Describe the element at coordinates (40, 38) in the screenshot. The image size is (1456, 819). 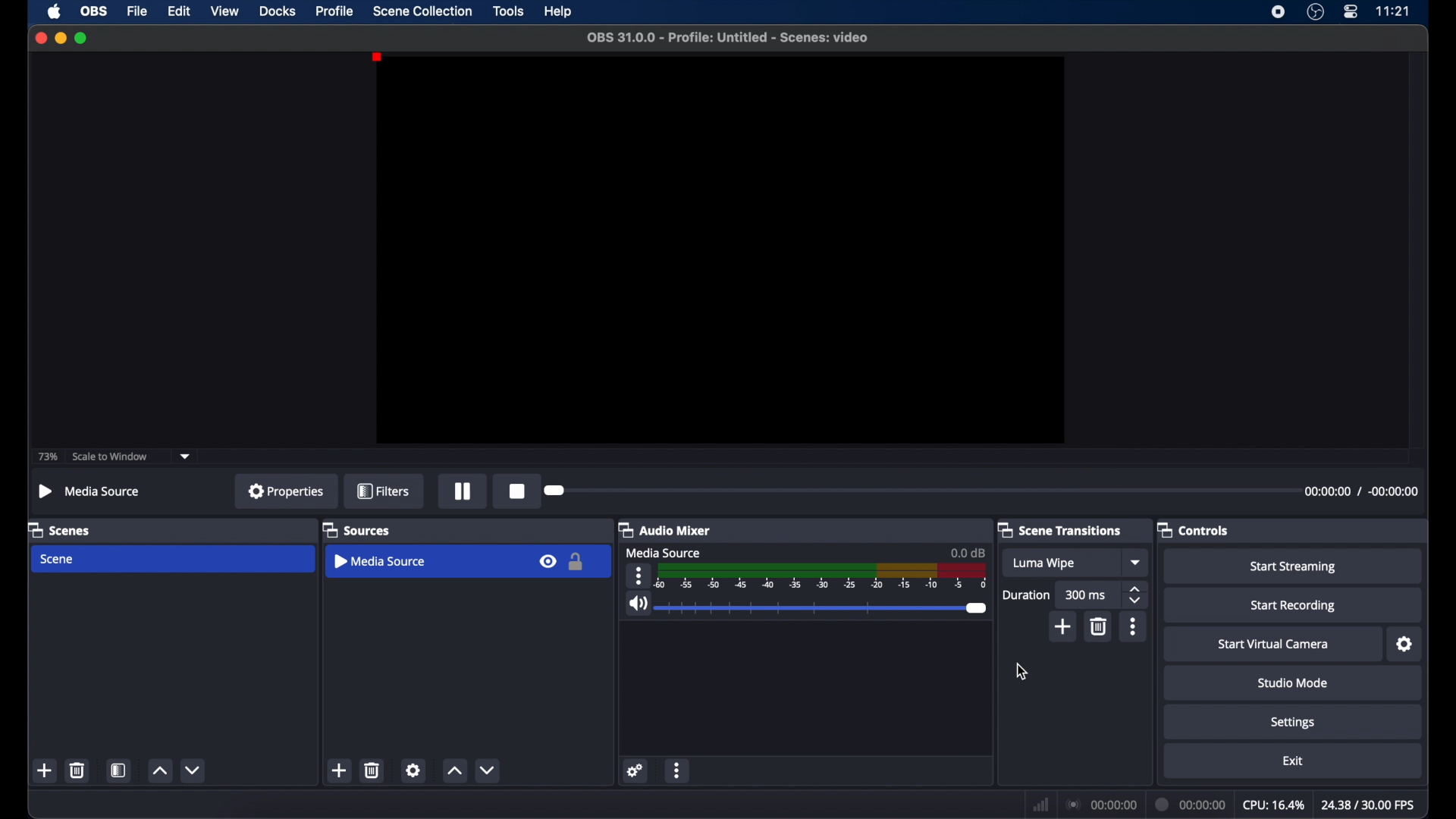
I see `close` at that location.